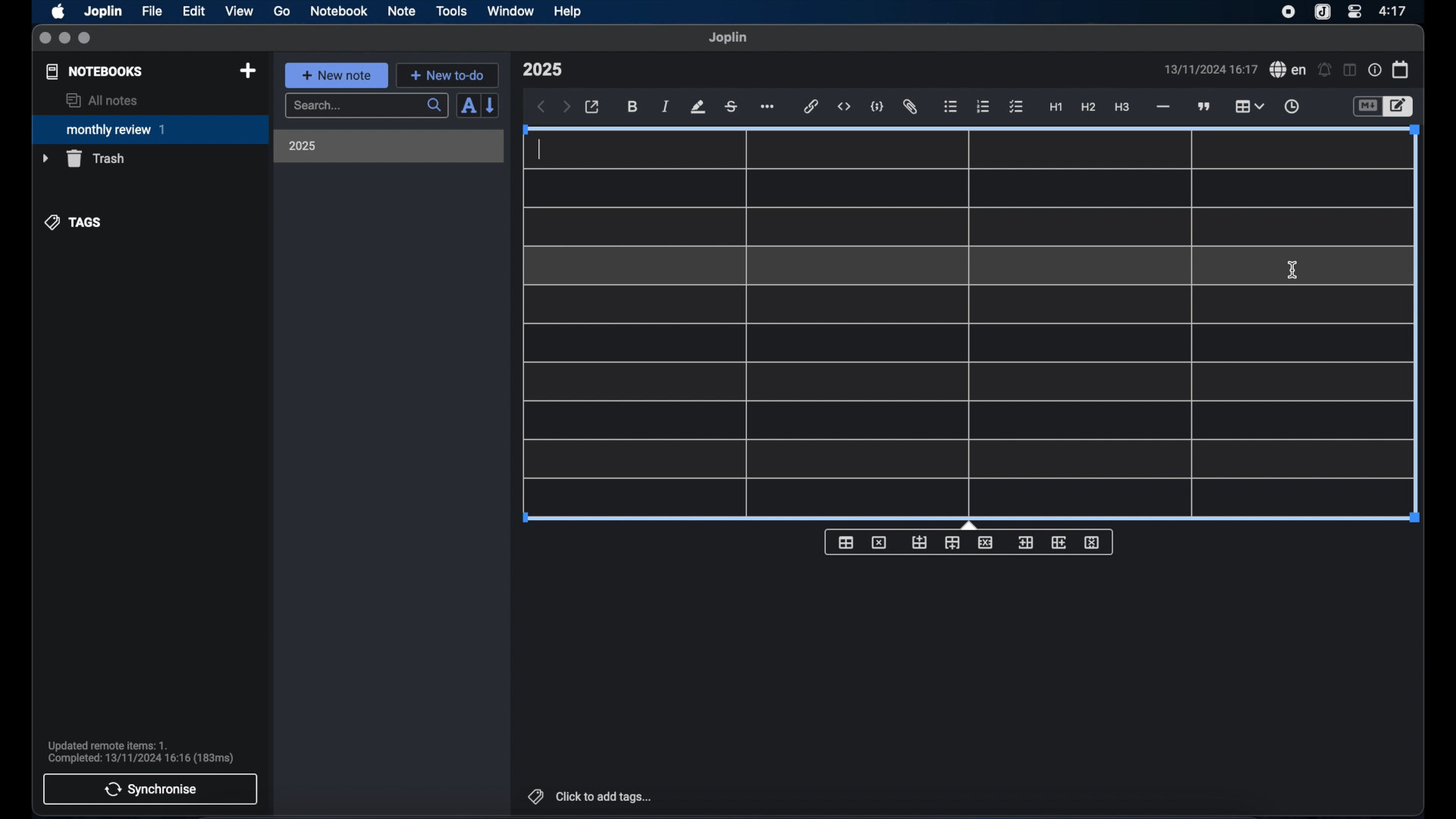  Describe the element at coordinates (1321, 13) in the screenshot. I see `joplin icon` at that location.